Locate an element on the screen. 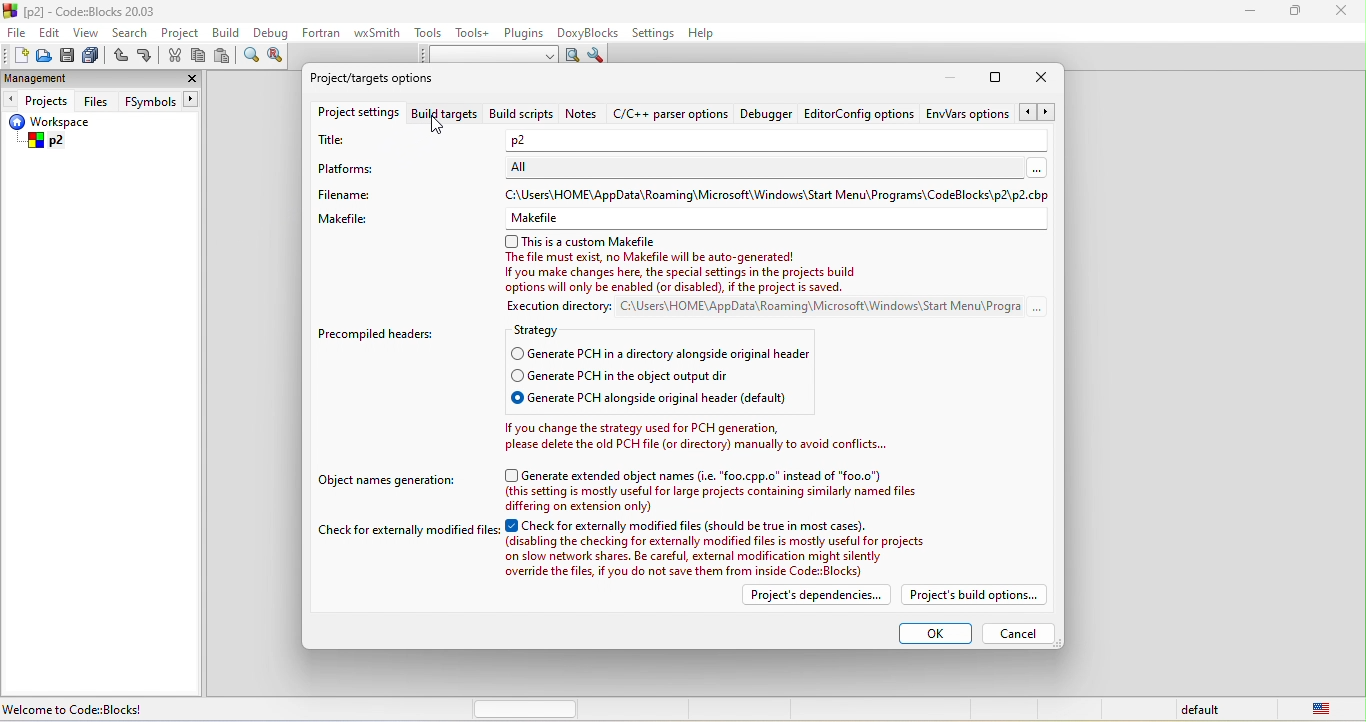 This screenshot has width=1366, height=722. redo is located at coordinates (146, 57).